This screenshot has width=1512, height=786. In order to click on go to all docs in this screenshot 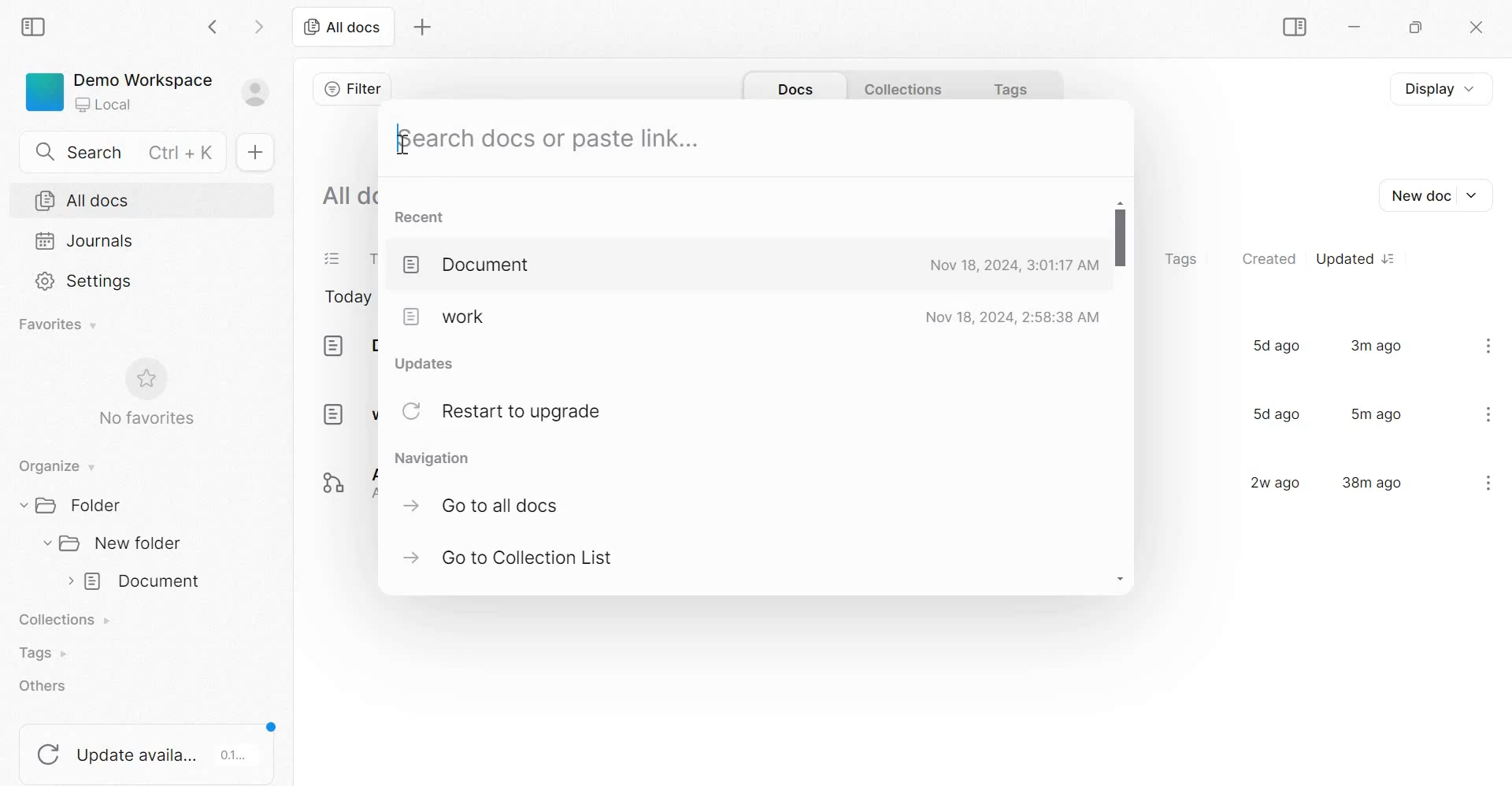, I will do `click(487, 504)`.